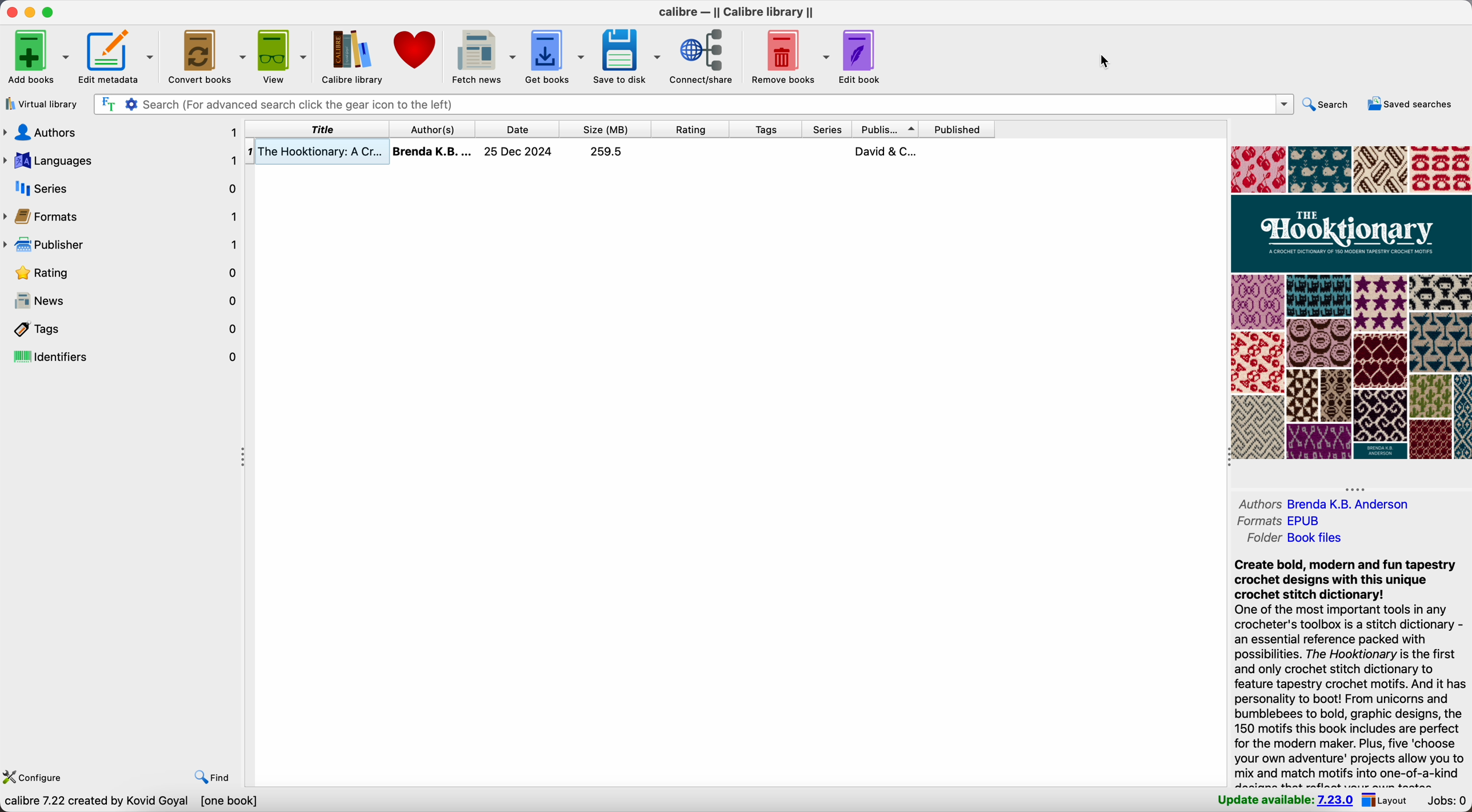 The height and width of the screenshot is (812, 1472). What do you see at coordinates (694, 104) in the screenshot?
I see `search bar` at bounding box center [694, 104].